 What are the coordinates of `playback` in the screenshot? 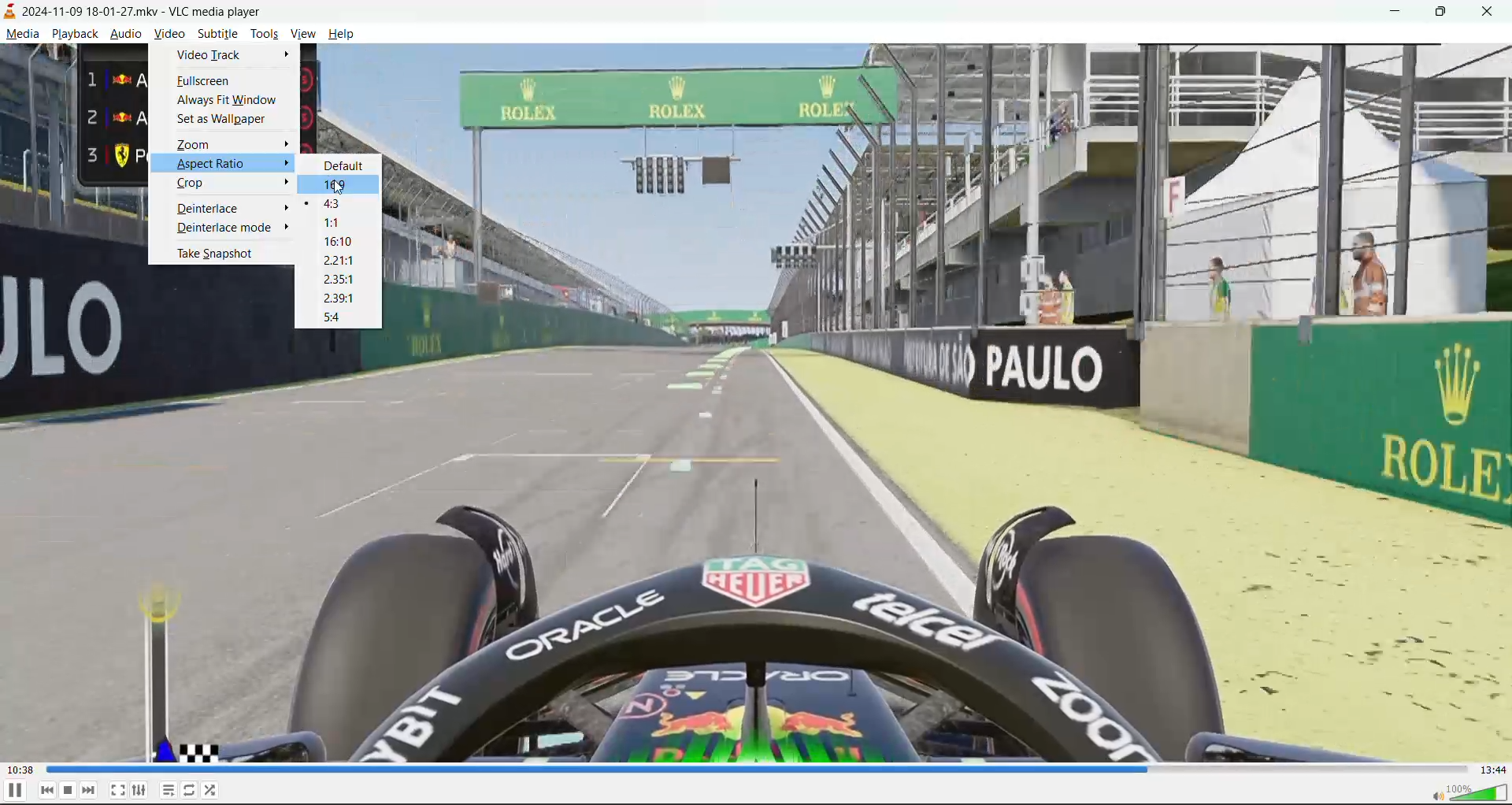 It's located at (73, 35).